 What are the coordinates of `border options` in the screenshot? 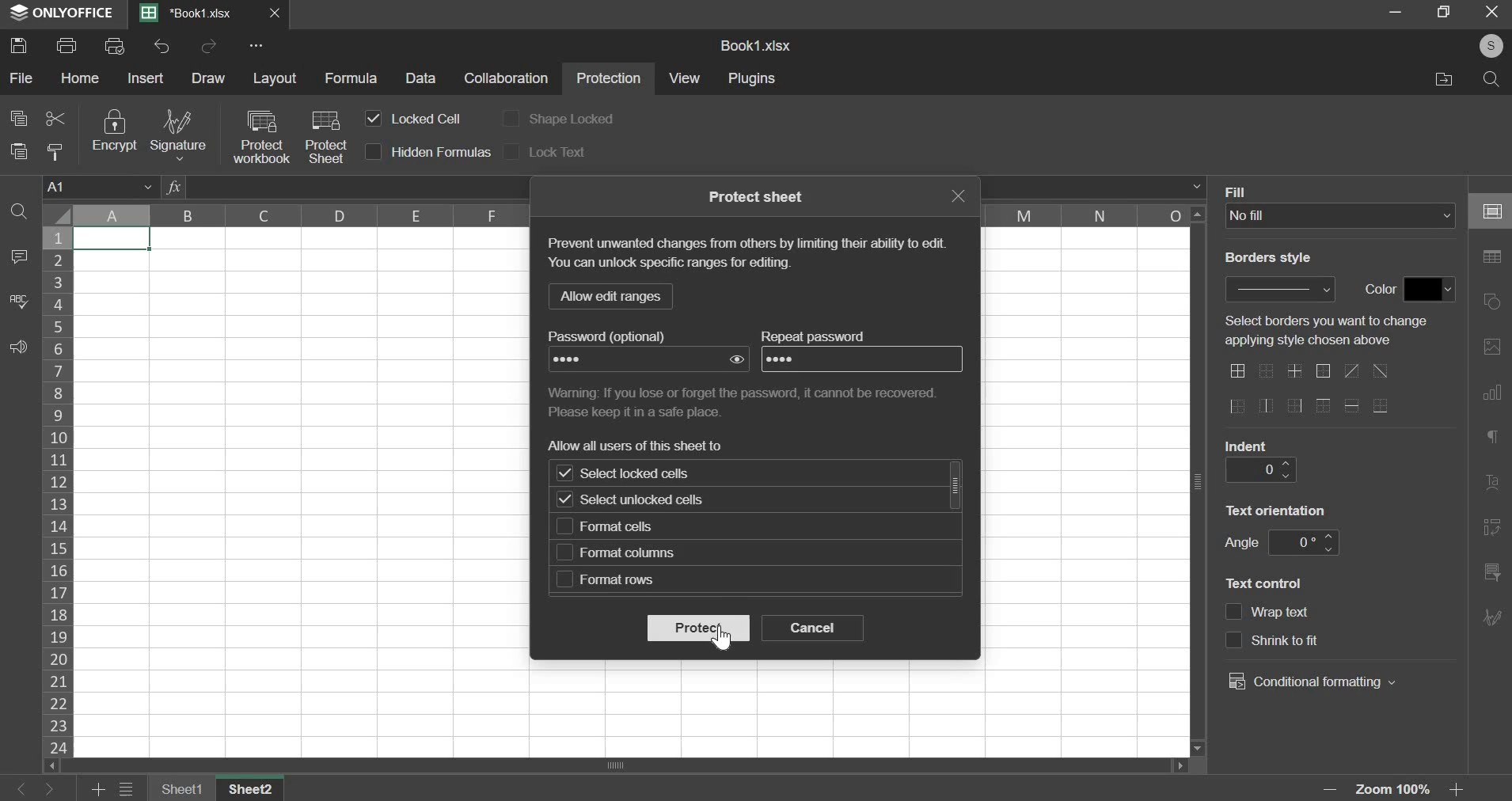 It's located at (1324, 407).